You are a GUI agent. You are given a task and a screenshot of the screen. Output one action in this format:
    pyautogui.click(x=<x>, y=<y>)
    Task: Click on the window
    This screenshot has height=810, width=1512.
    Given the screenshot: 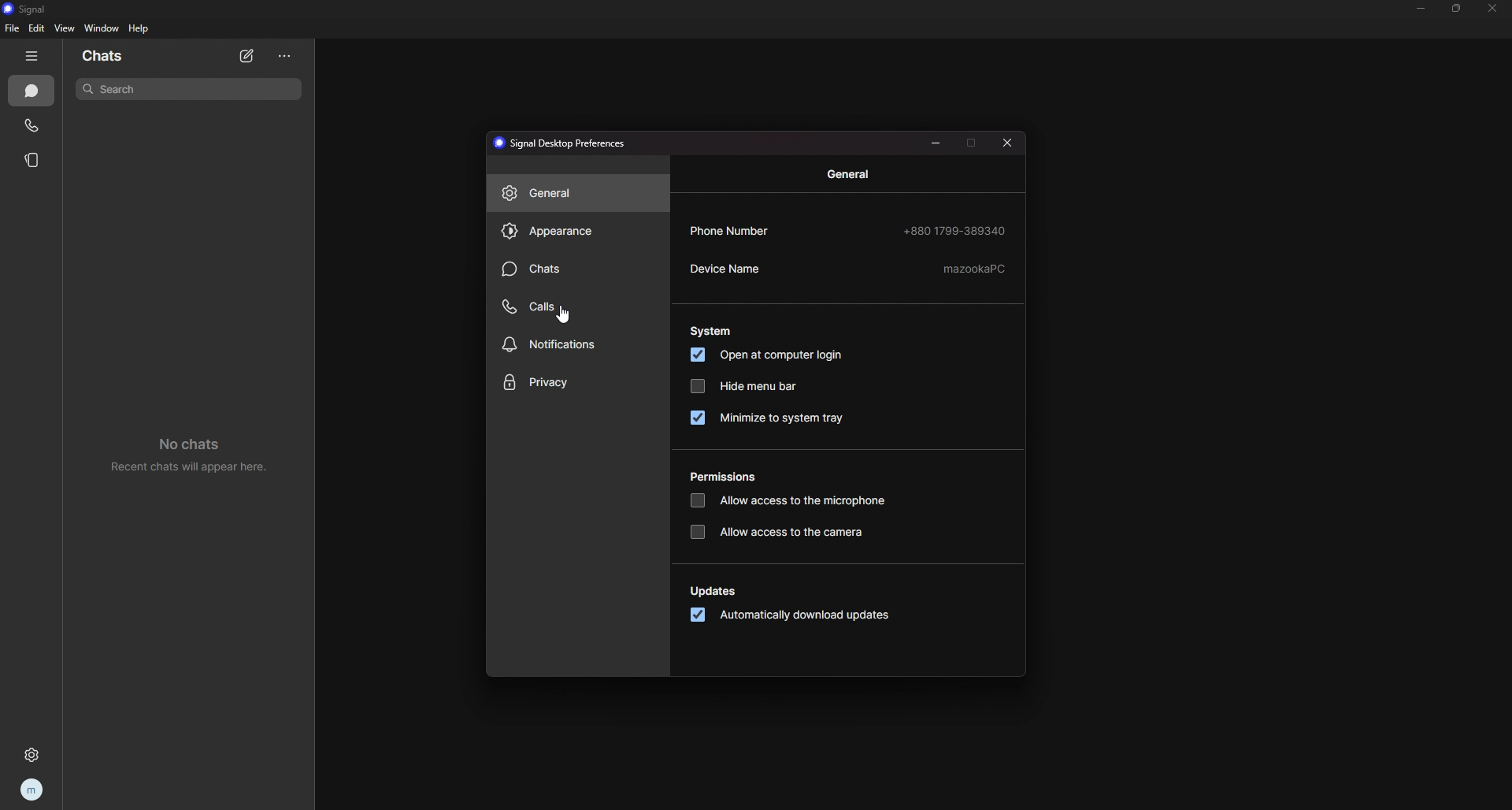 What is the action you would take?
    pyautogui.click(x=102, y=28)
    